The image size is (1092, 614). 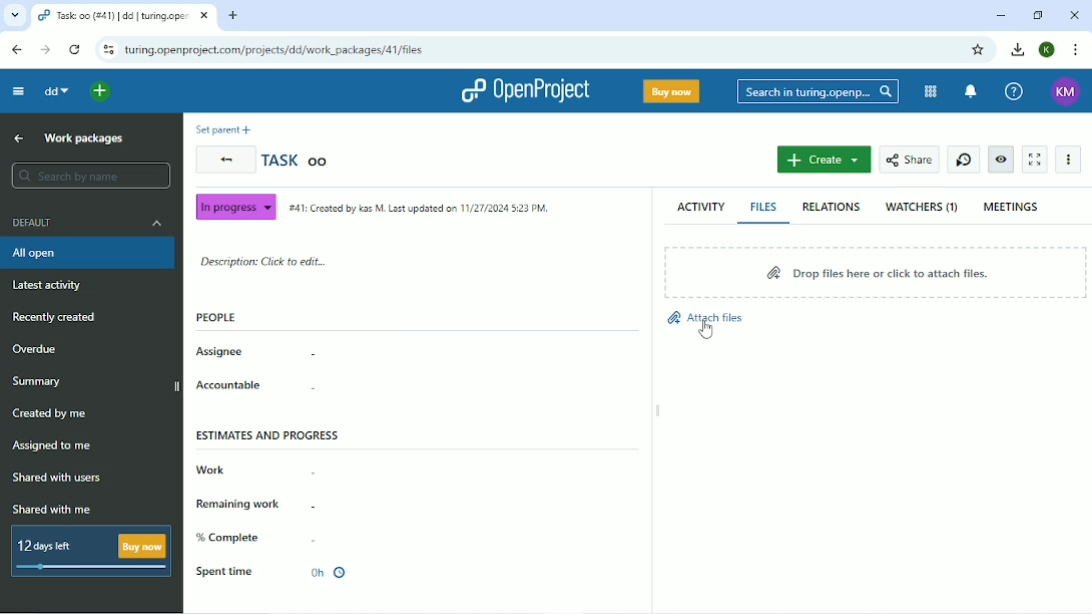 I want to click on Created by me, so click(x=50, y=413).